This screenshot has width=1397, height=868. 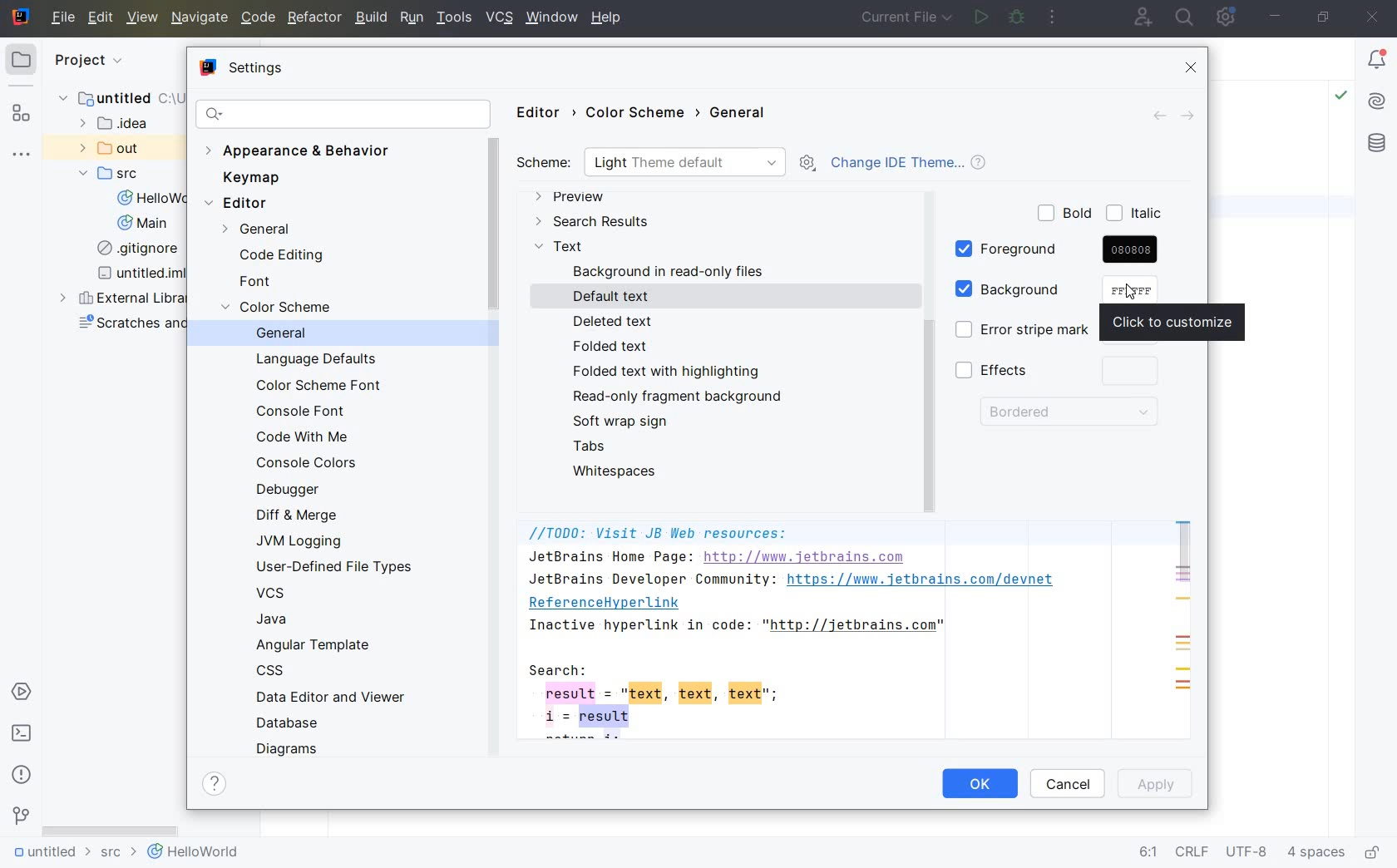 What do you see at coordinates (318, 386) in the screenshot?
I see `COLOR SCHEME FONT` at bounding box center [318, 386].